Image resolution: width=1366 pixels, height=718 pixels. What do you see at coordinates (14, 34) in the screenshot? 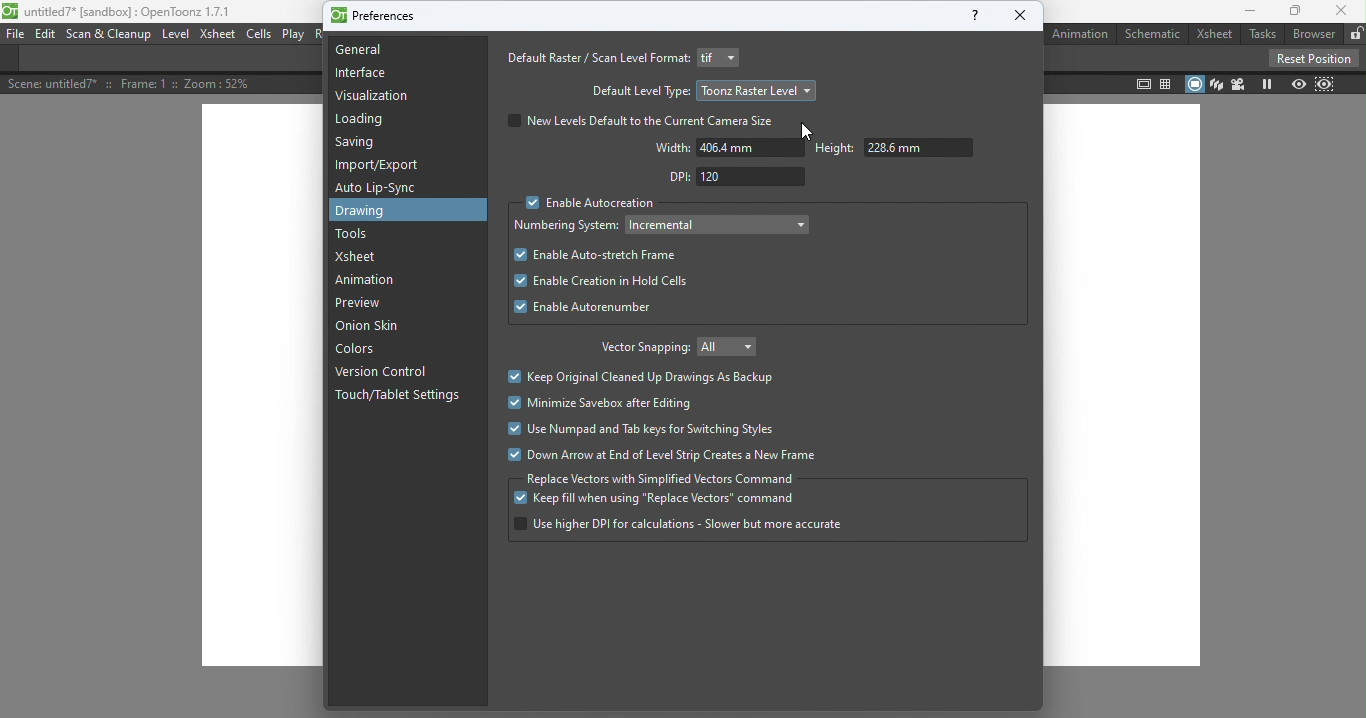
I see `file` at bounding box center [14, 34].